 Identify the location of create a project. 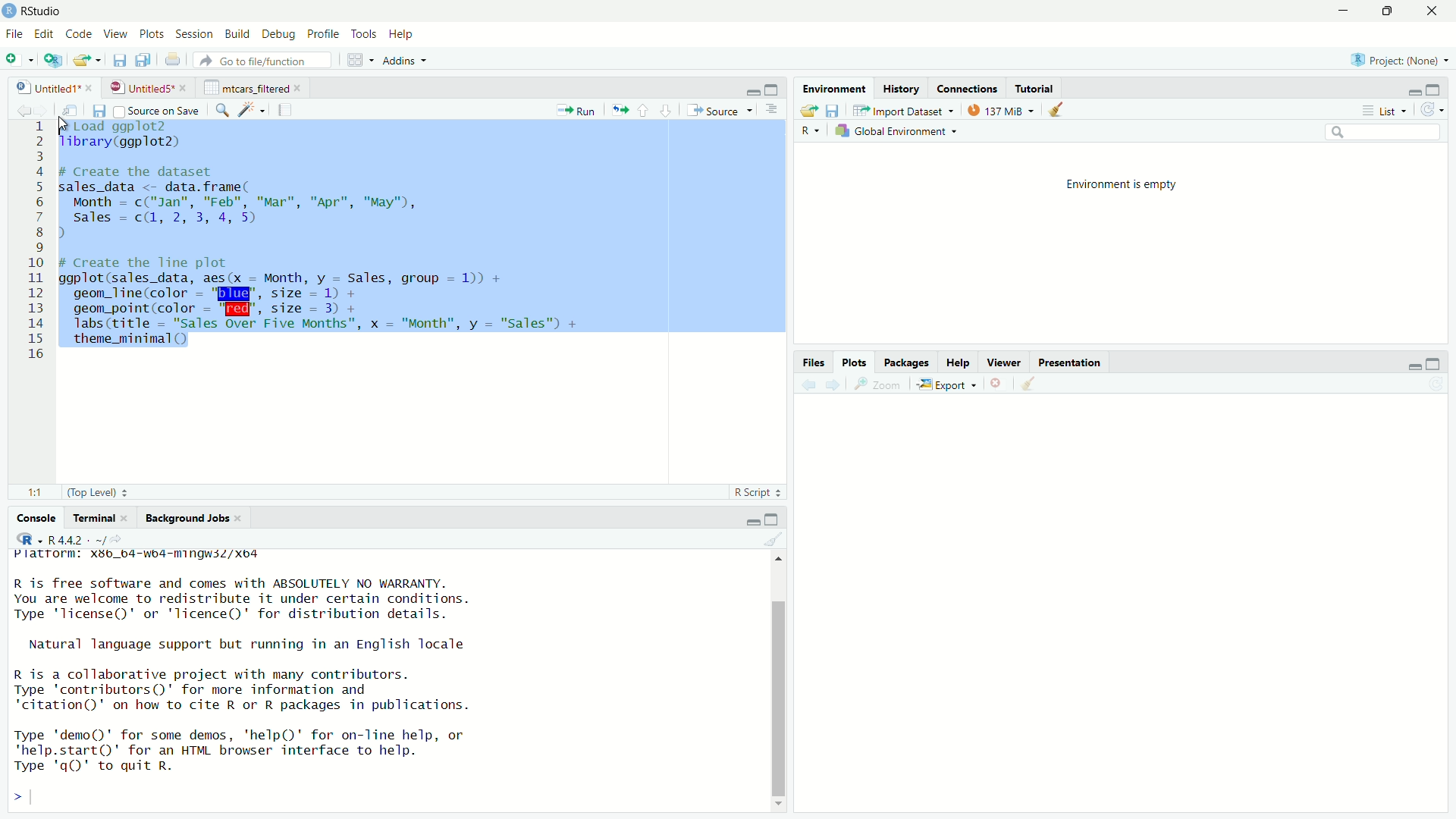
(53, 60).